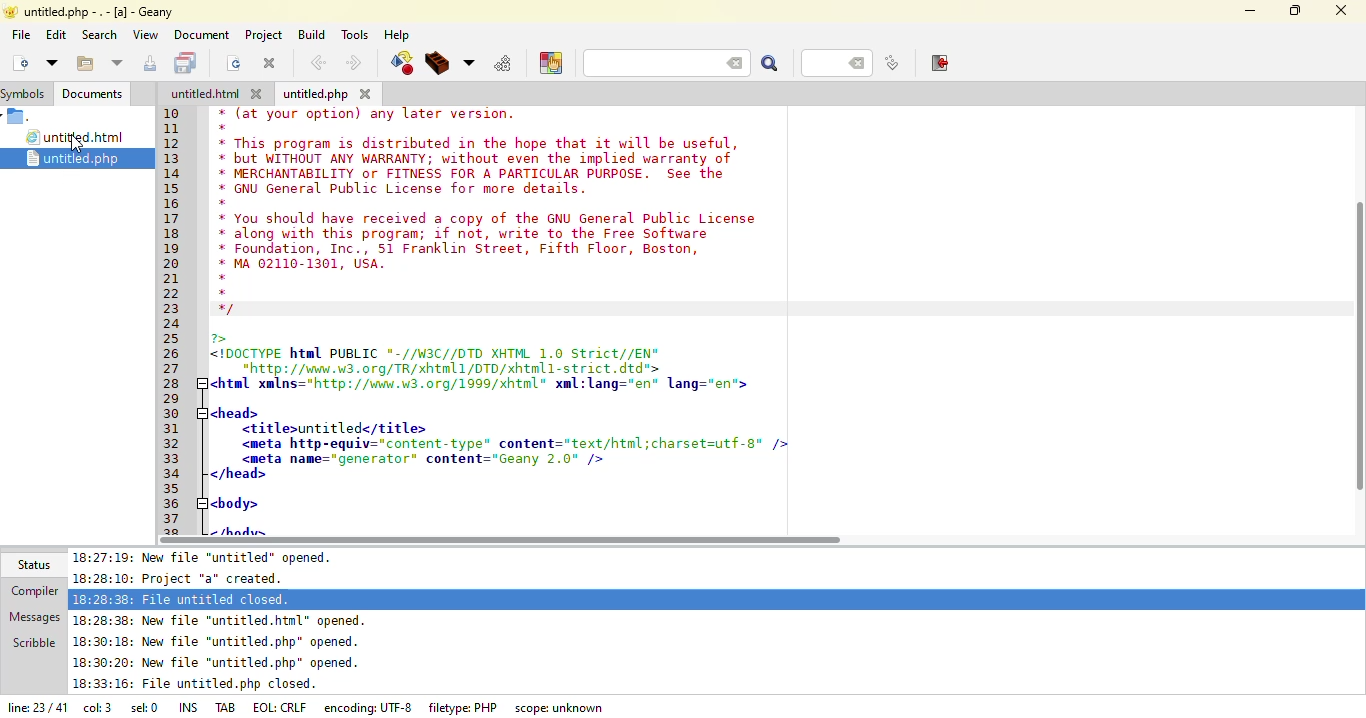 The height and width of the screenshot is (718, 1366). What do you see at coordinates (440, 64) in the screenshot?
I see `build current file` at bounding box center [440, 64].